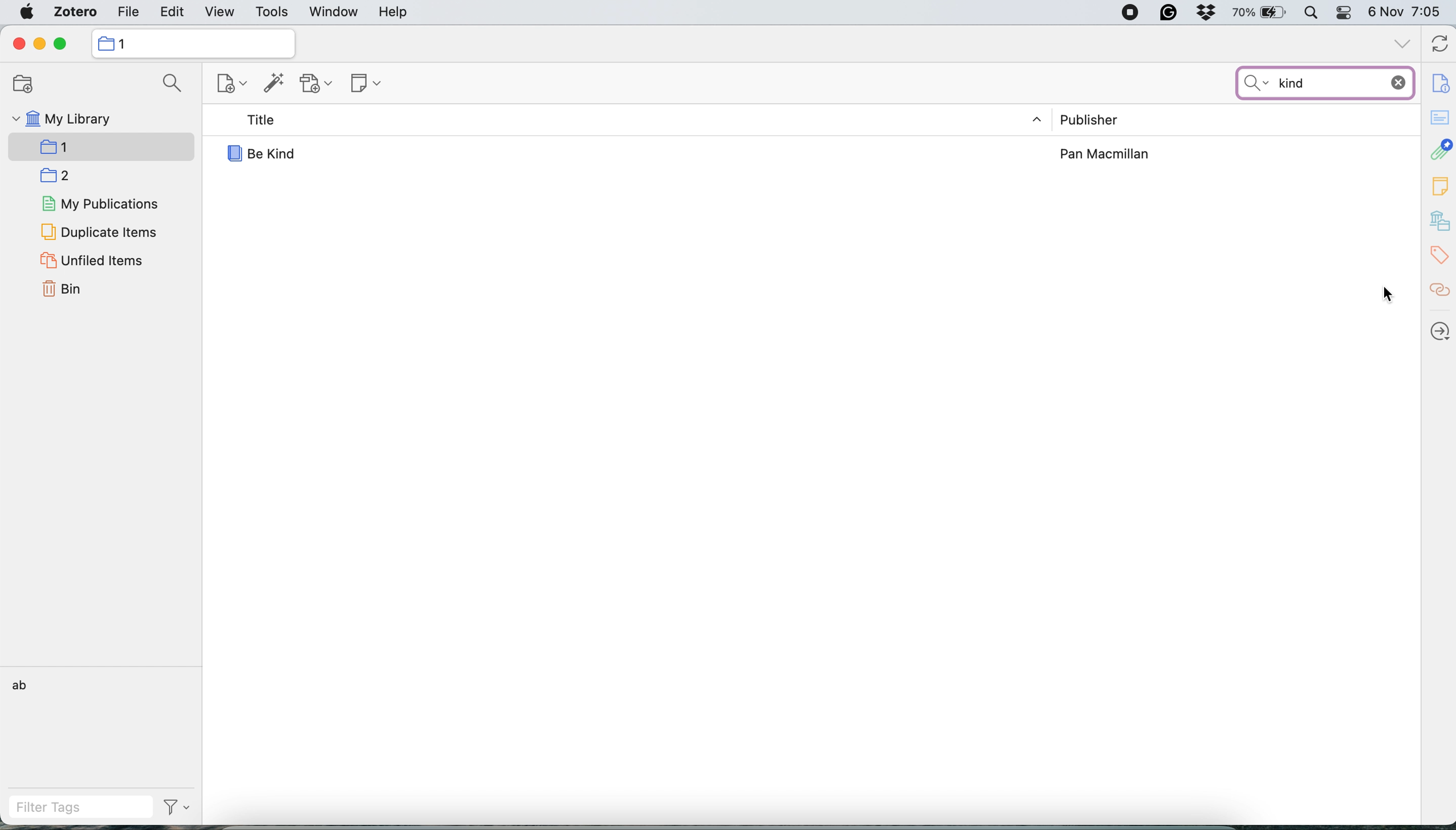 The width and height of the screenshot is (1456, 830). What do you see at coordinates (103, 205) in the screenshot?
I see `my publications` at bounding box center [103, 205].